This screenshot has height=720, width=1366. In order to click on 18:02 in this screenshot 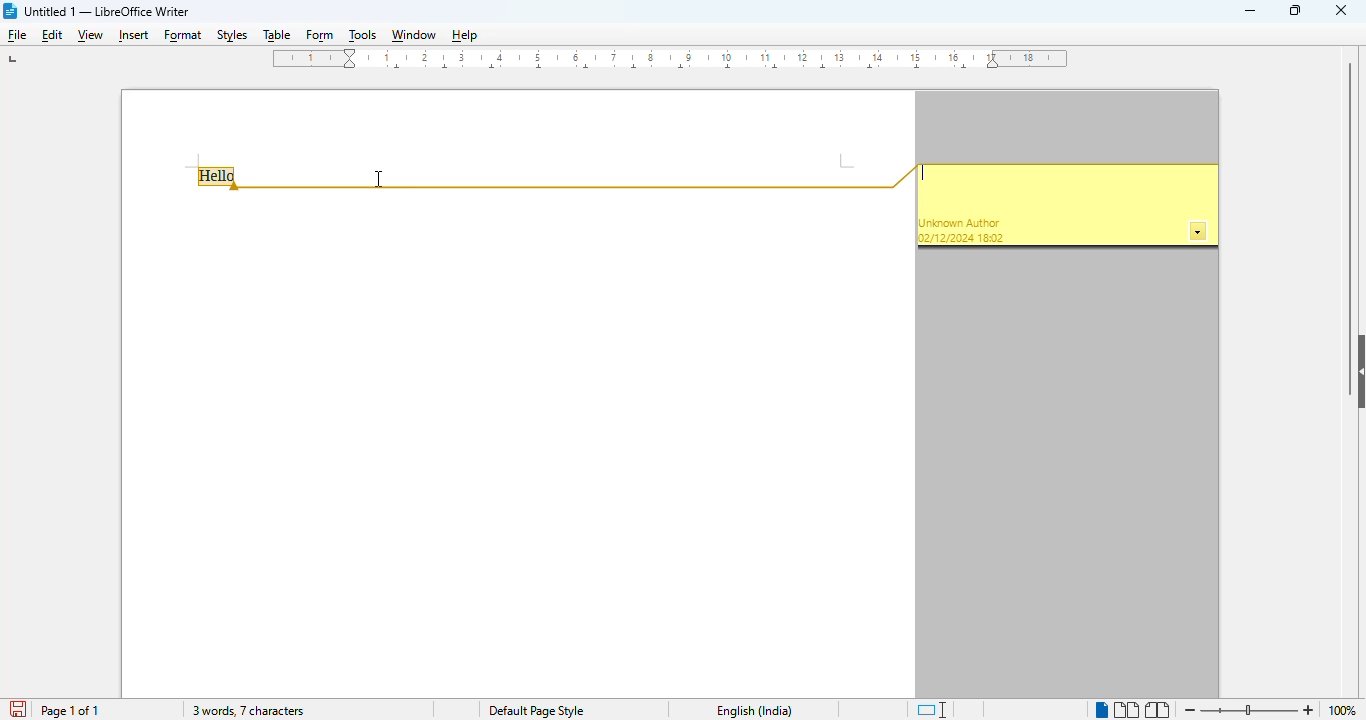, I will do `click(992, 238)`.